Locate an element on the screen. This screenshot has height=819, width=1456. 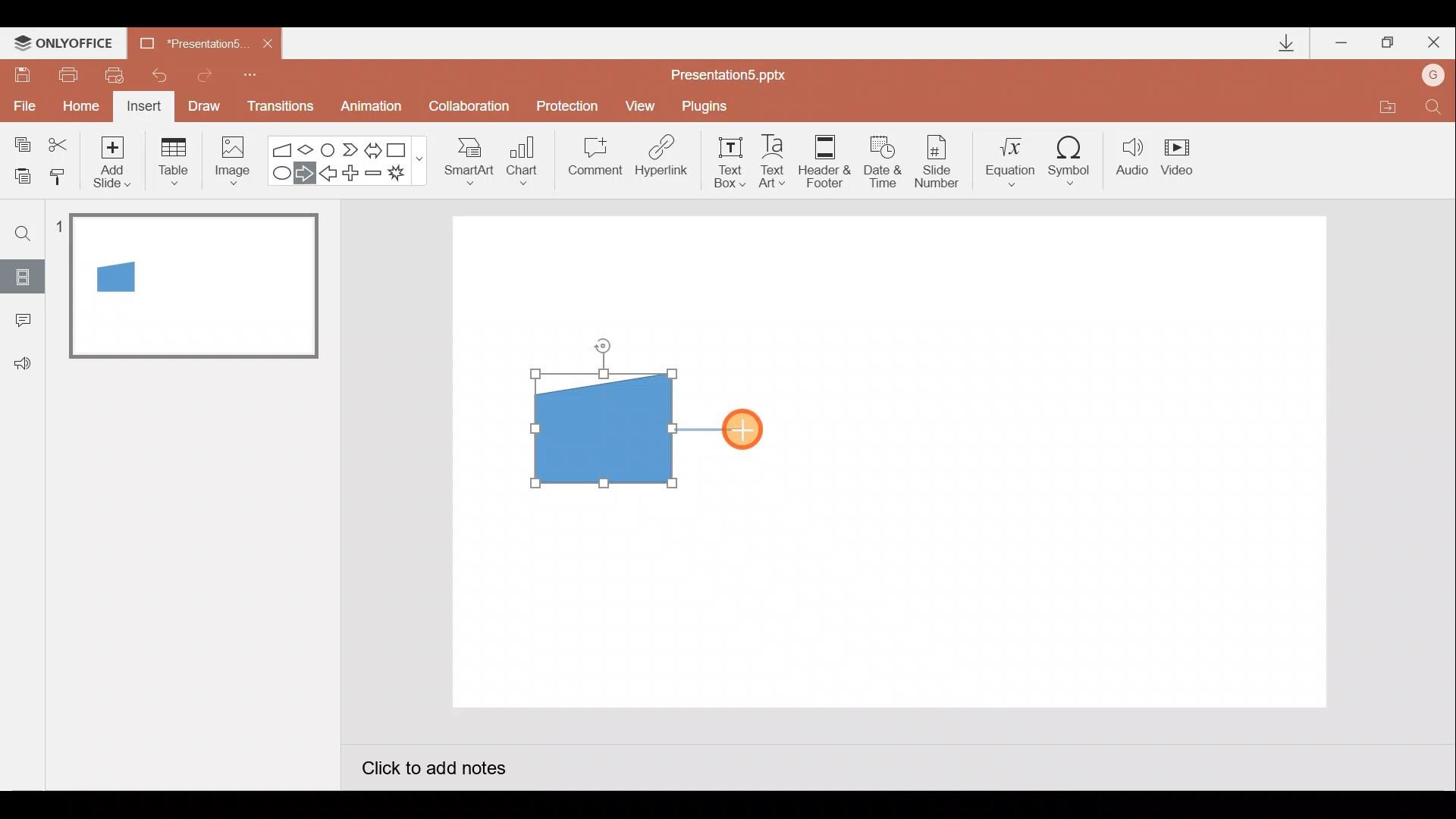
Comment is located at coordinates (593, 162).